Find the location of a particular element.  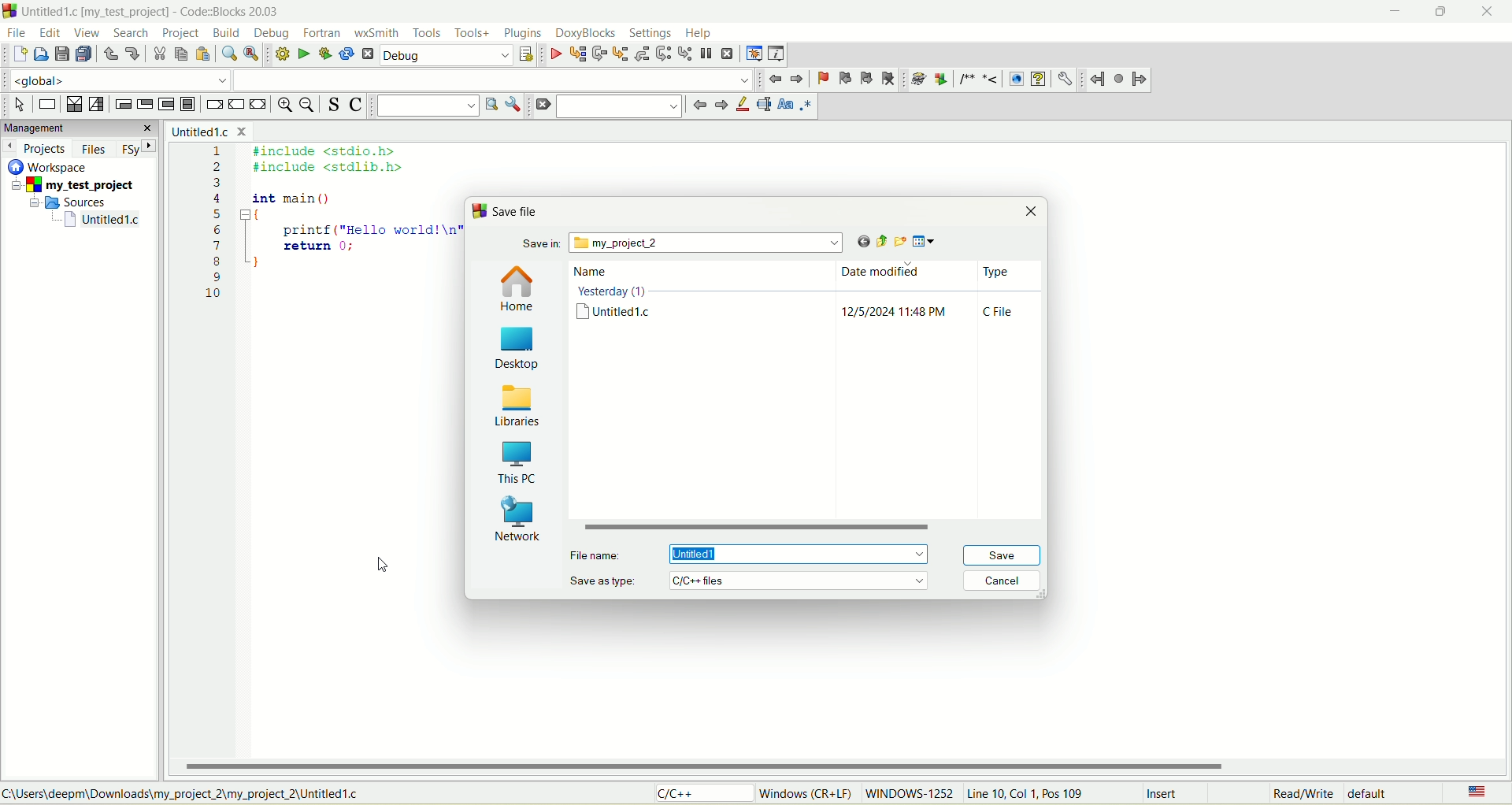

undo is located at coordinates (110, 57).